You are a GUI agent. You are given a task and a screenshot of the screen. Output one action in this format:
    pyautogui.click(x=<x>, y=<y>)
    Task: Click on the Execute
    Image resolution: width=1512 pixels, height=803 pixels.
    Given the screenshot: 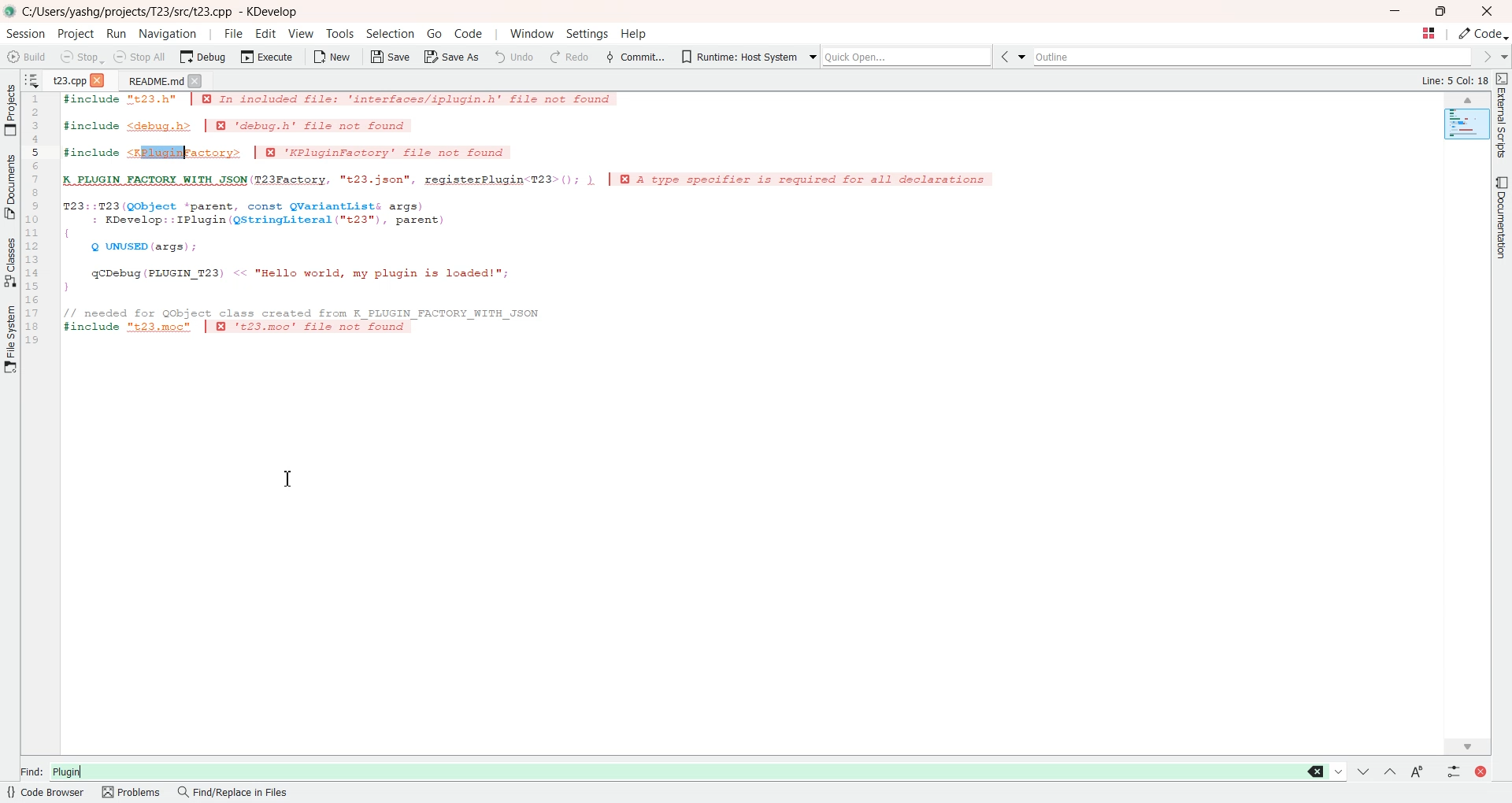 What is the action you would take?
    pyautogui.click(x=267, y=56)
    